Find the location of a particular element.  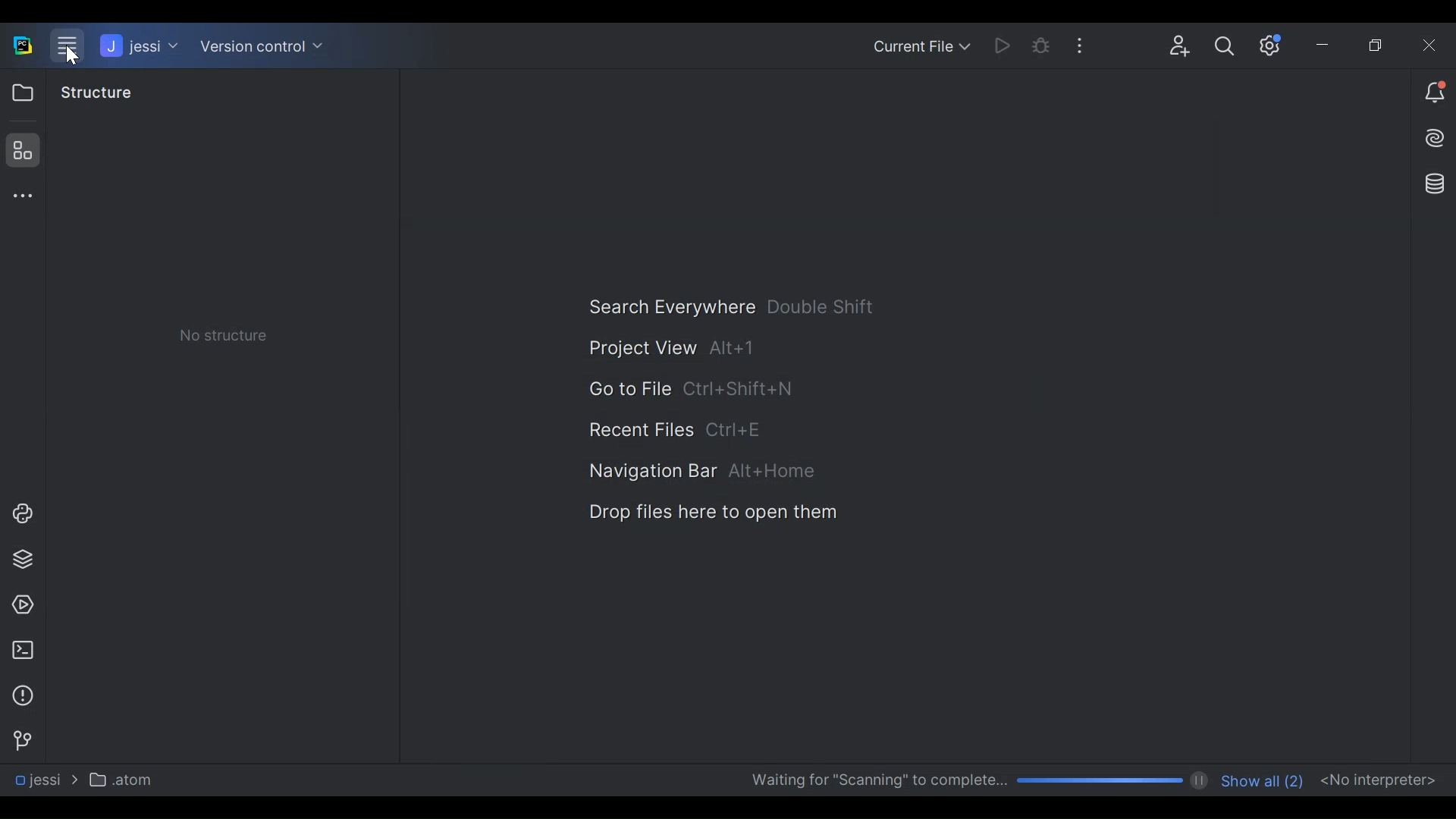

Run is located at coordinates (1000, 46).